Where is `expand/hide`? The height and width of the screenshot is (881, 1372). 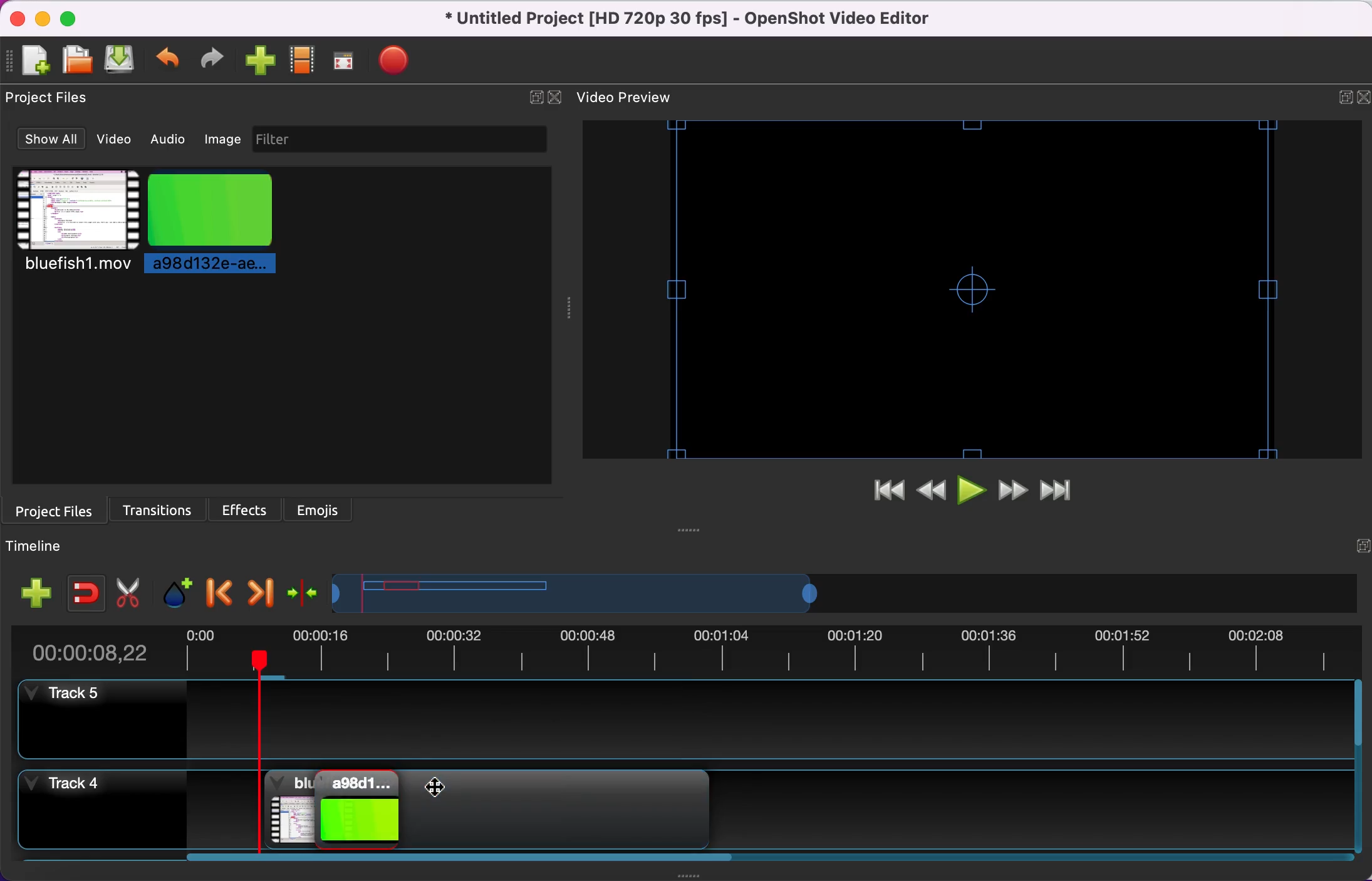 expand/hide is located at coordinates (1339, 93).